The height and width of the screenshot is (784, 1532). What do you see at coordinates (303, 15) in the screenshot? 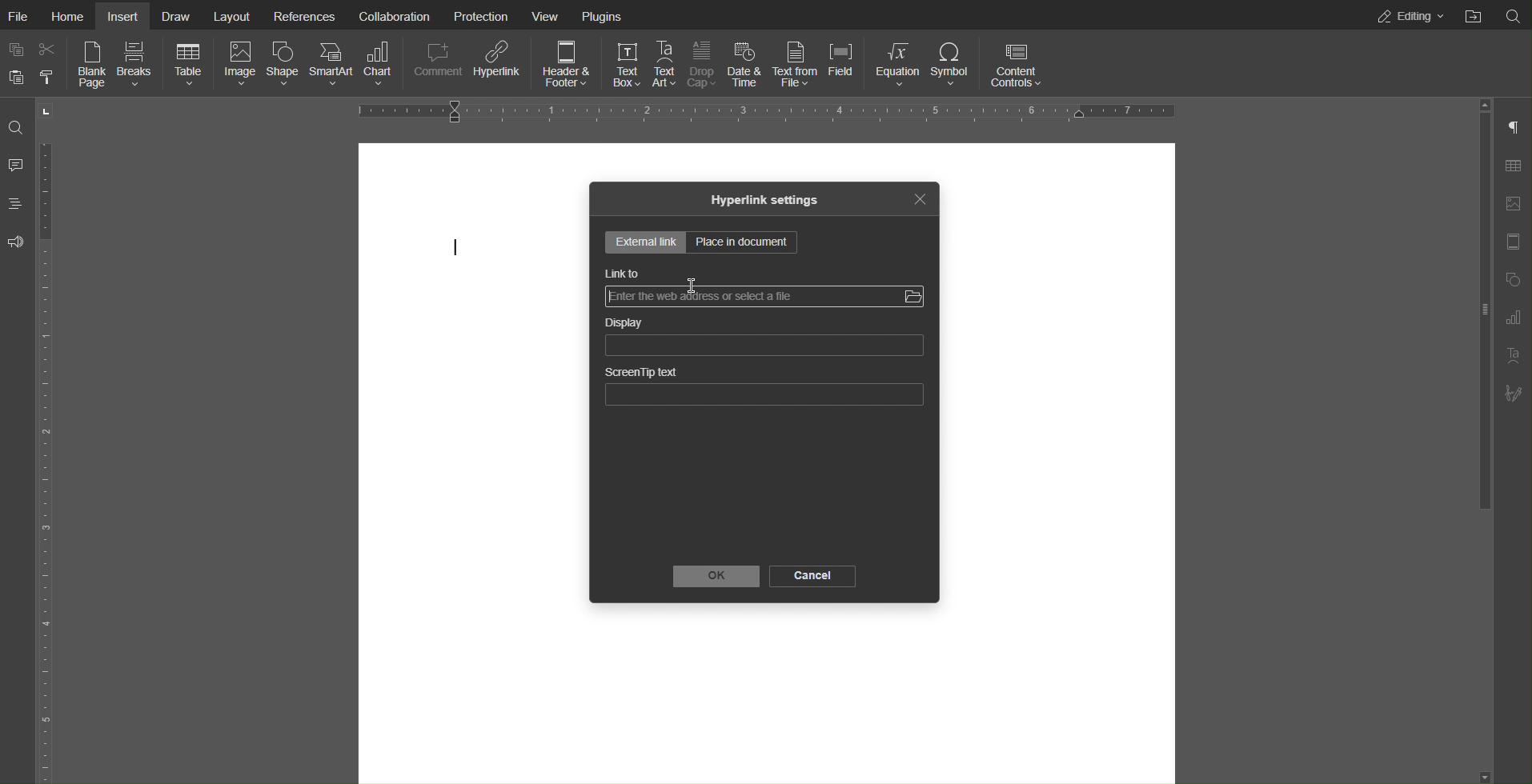
I see `References` at bounding box center [303, 15].